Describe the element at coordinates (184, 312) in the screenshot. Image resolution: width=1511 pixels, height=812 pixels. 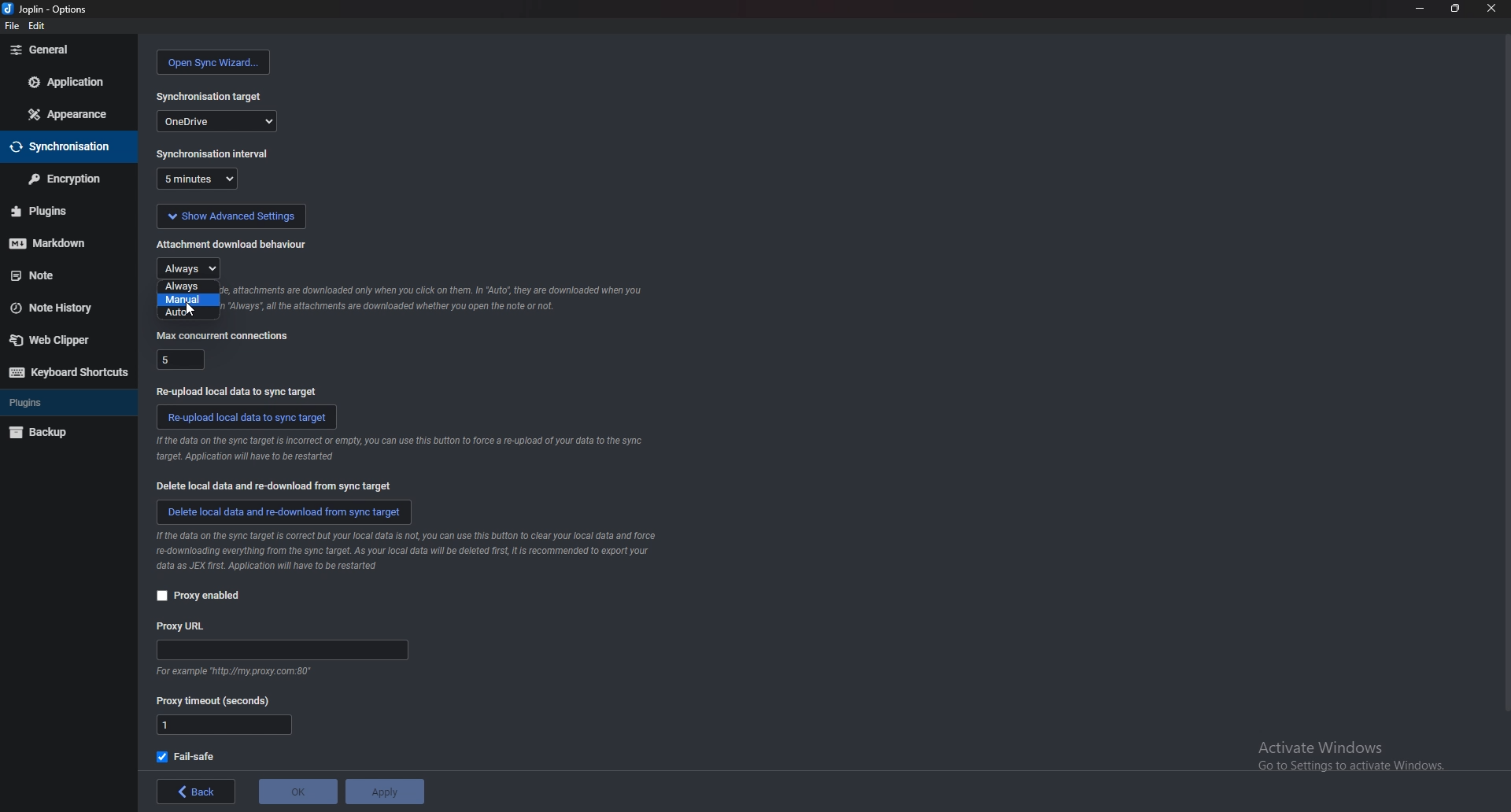
I see `auto` at that location.